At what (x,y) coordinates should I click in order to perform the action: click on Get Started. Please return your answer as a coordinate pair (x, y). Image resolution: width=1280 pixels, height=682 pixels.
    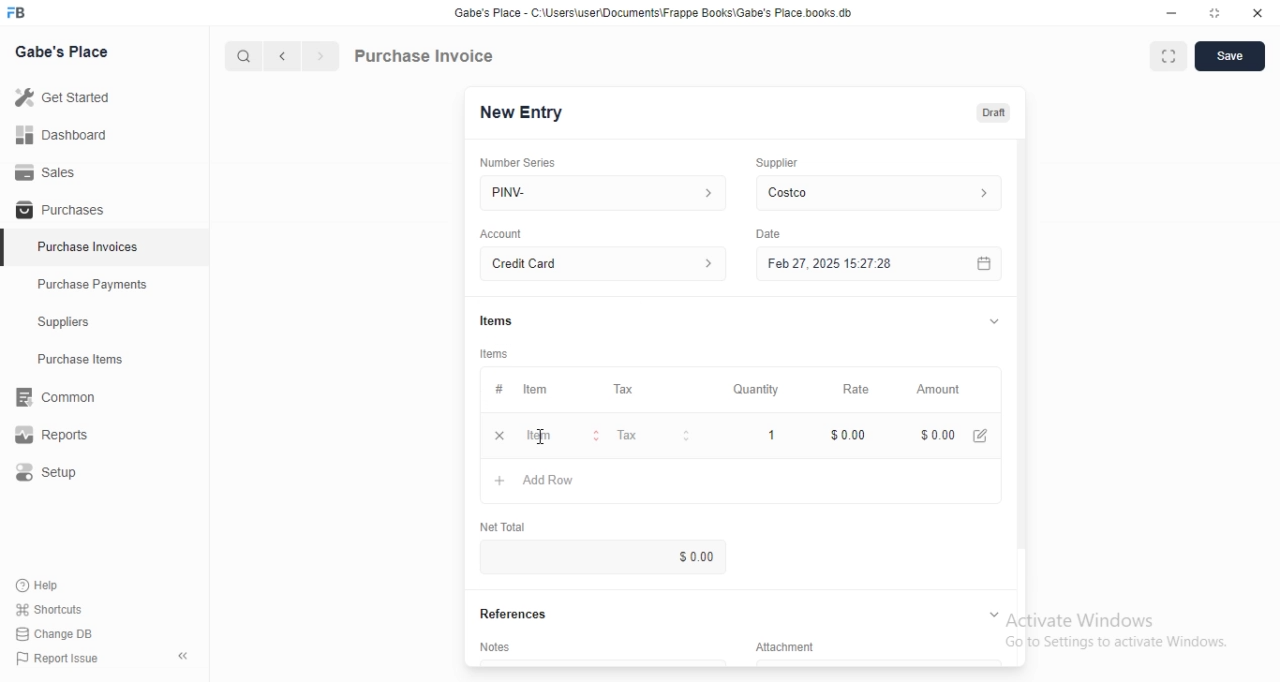
    Looking at the image, I should click on (104, 97).